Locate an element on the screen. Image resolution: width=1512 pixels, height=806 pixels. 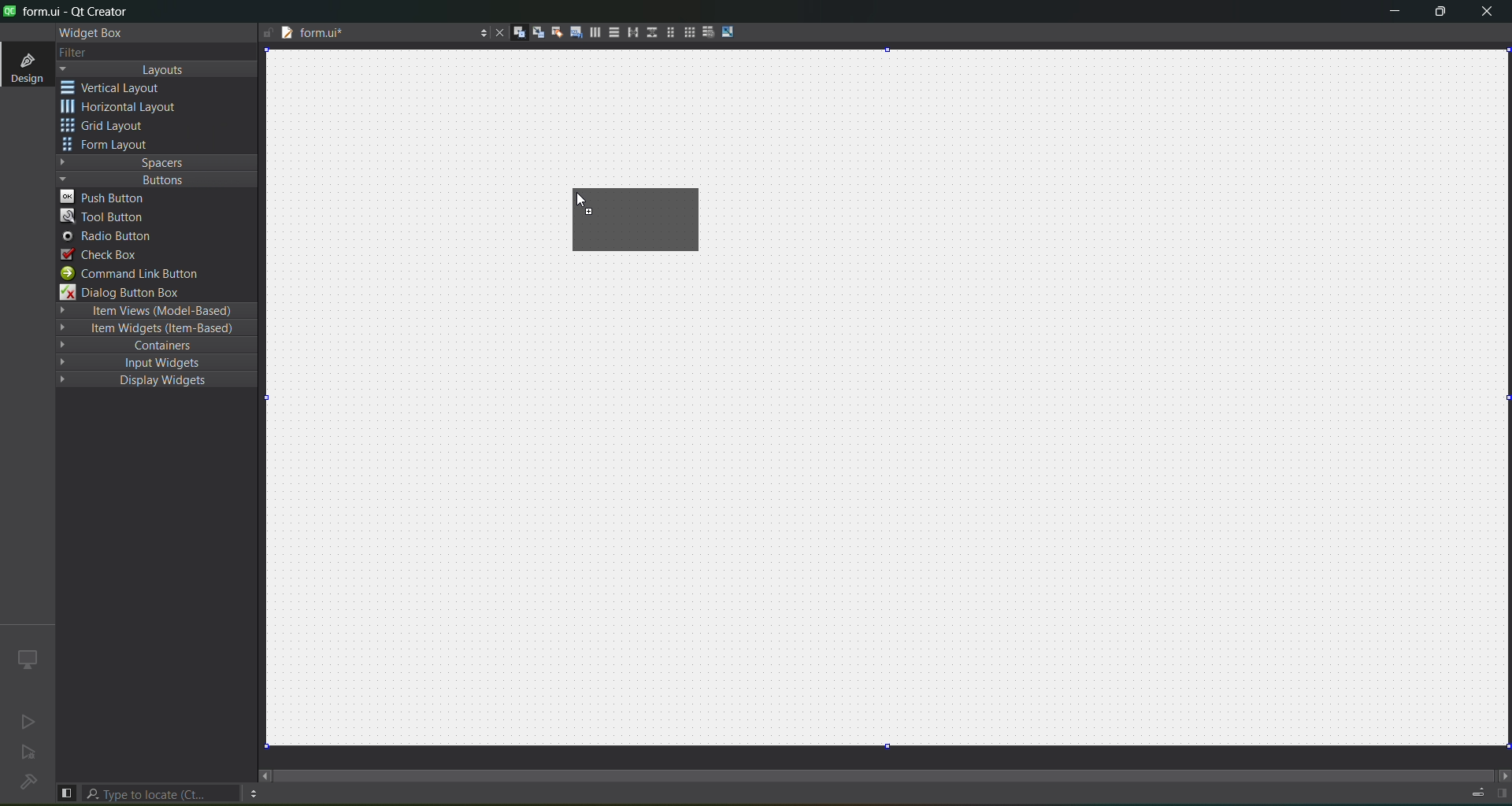
input widgets is located at coordinates (149, 362).